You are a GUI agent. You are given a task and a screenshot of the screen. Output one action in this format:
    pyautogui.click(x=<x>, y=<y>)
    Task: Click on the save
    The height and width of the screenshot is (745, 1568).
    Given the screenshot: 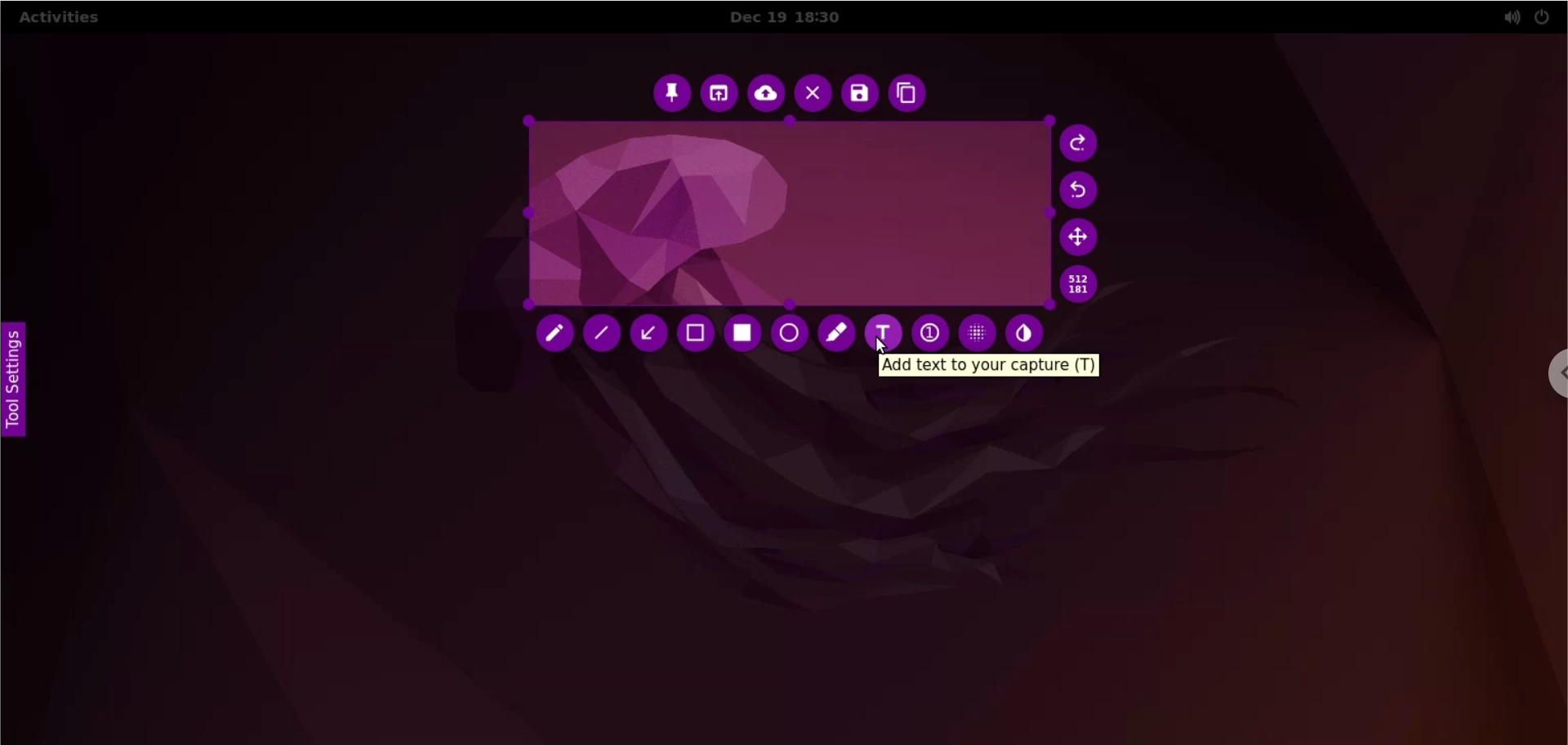 What is the action you would take?
    pyautogui.click(x=858, y=94)
    